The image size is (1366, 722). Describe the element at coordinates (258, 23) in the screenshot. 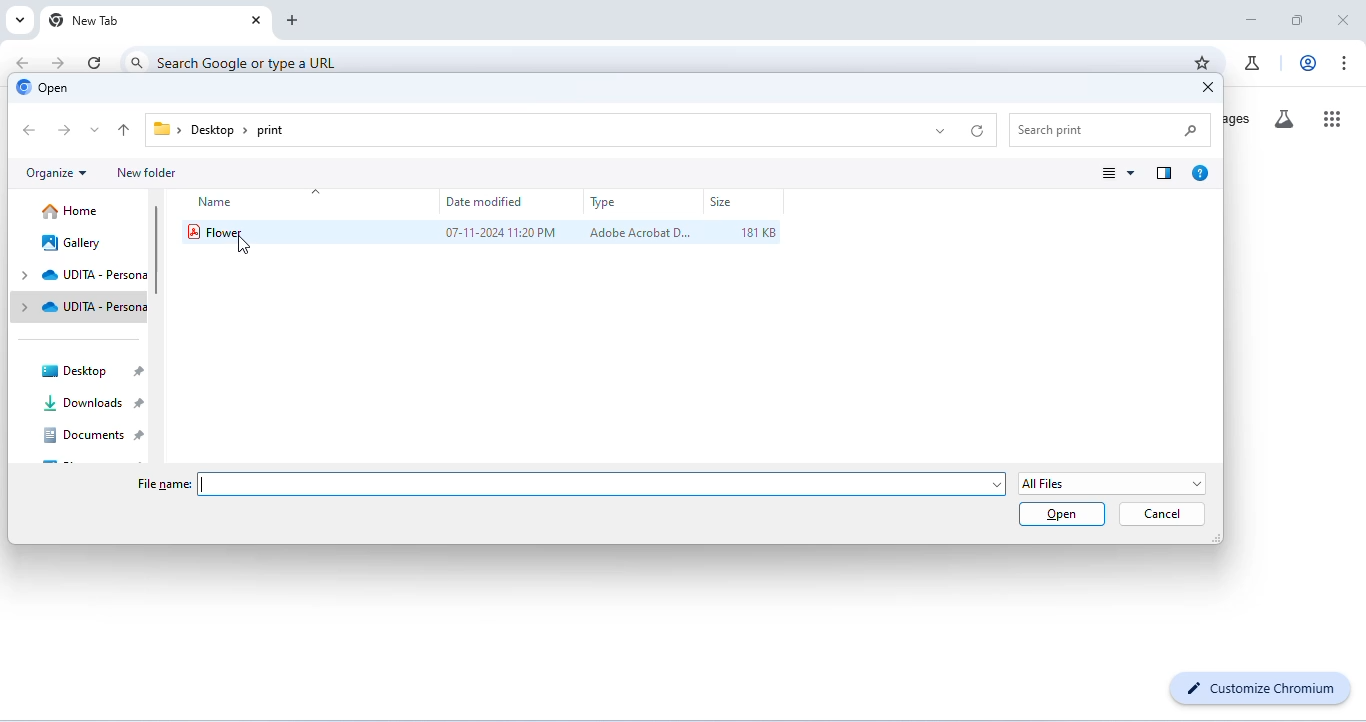

I see `close` at that location.